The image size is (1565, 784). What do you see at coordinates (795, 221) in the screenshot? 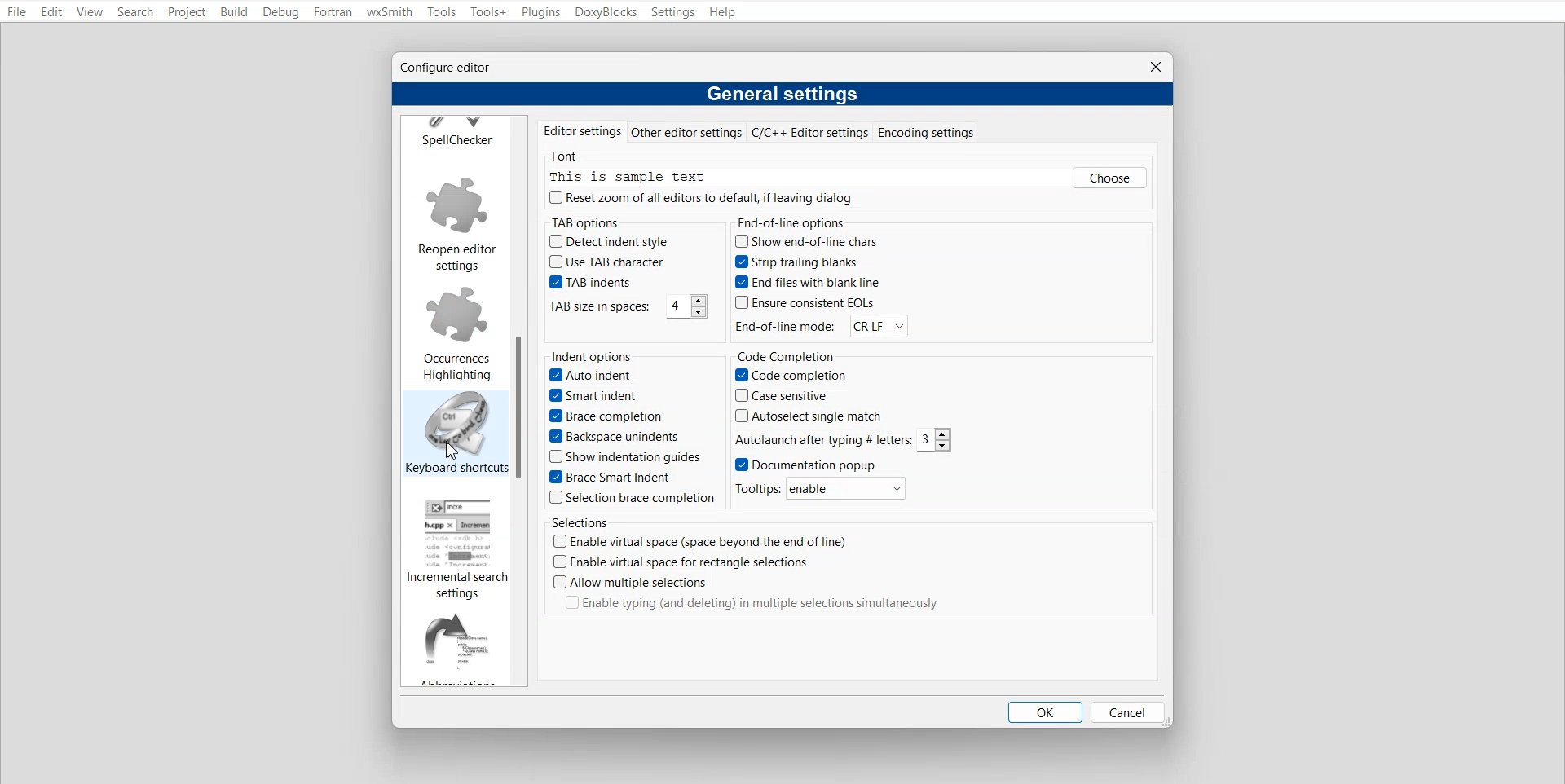
I see `End-of-line options` at bounding box center [795, 221].